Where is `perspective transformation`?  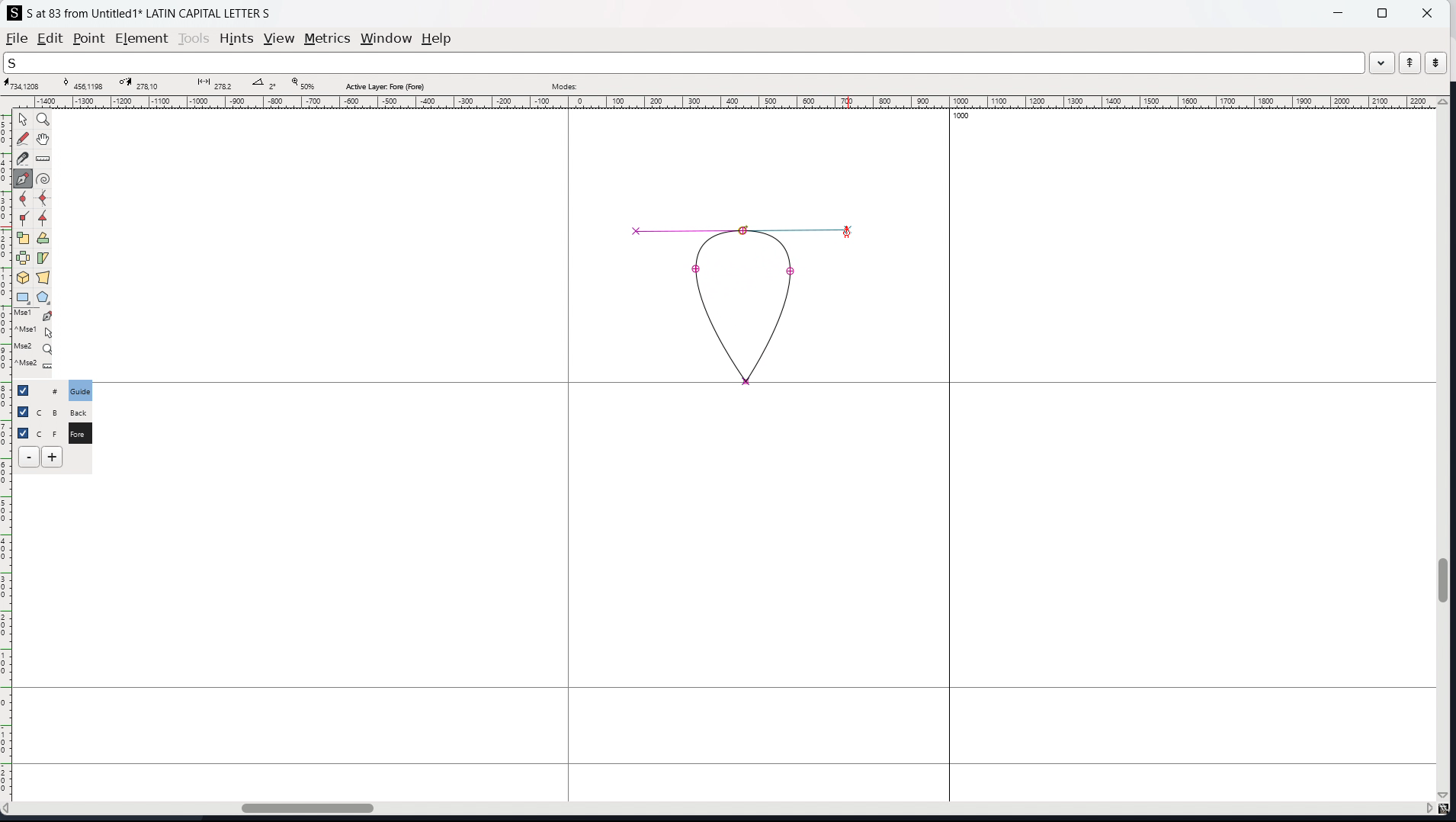 perspective transformation is located at coordinates (43, 278).